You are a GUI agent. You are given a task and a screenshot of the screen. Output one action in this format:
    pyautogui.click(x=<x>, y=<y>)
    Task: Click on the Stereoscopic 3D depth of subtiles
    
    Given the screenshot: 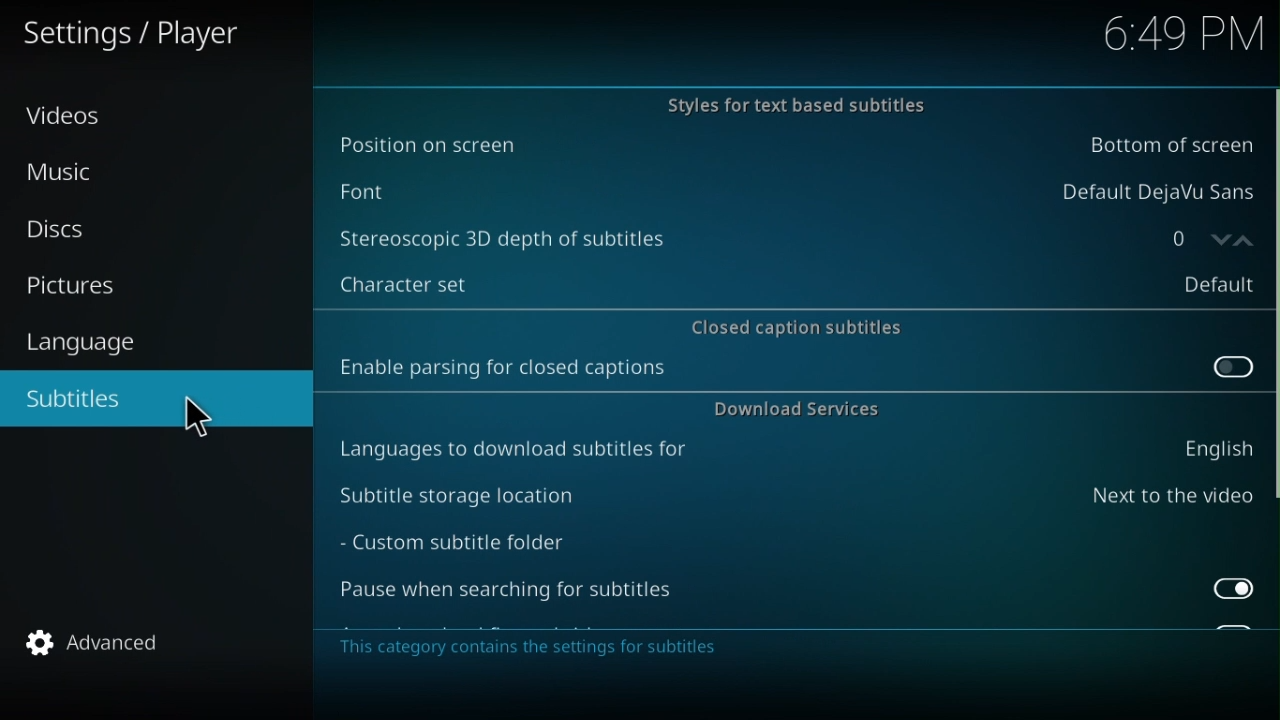 What is the action you would take?
    pyautogui.click(x=727, y=237)
    